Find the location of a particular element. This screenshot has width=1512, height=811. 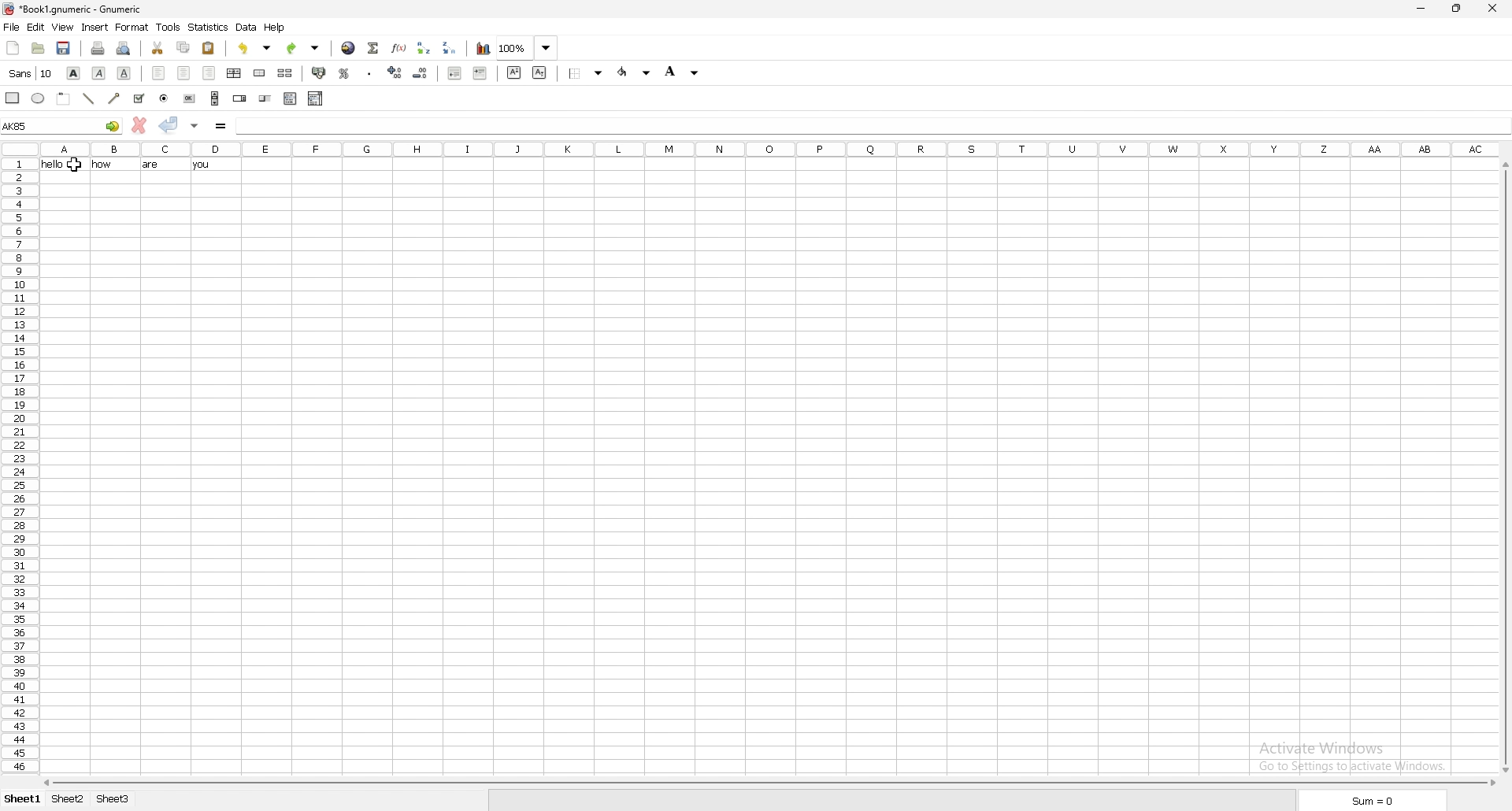

line is located at coordinates (89, 99).